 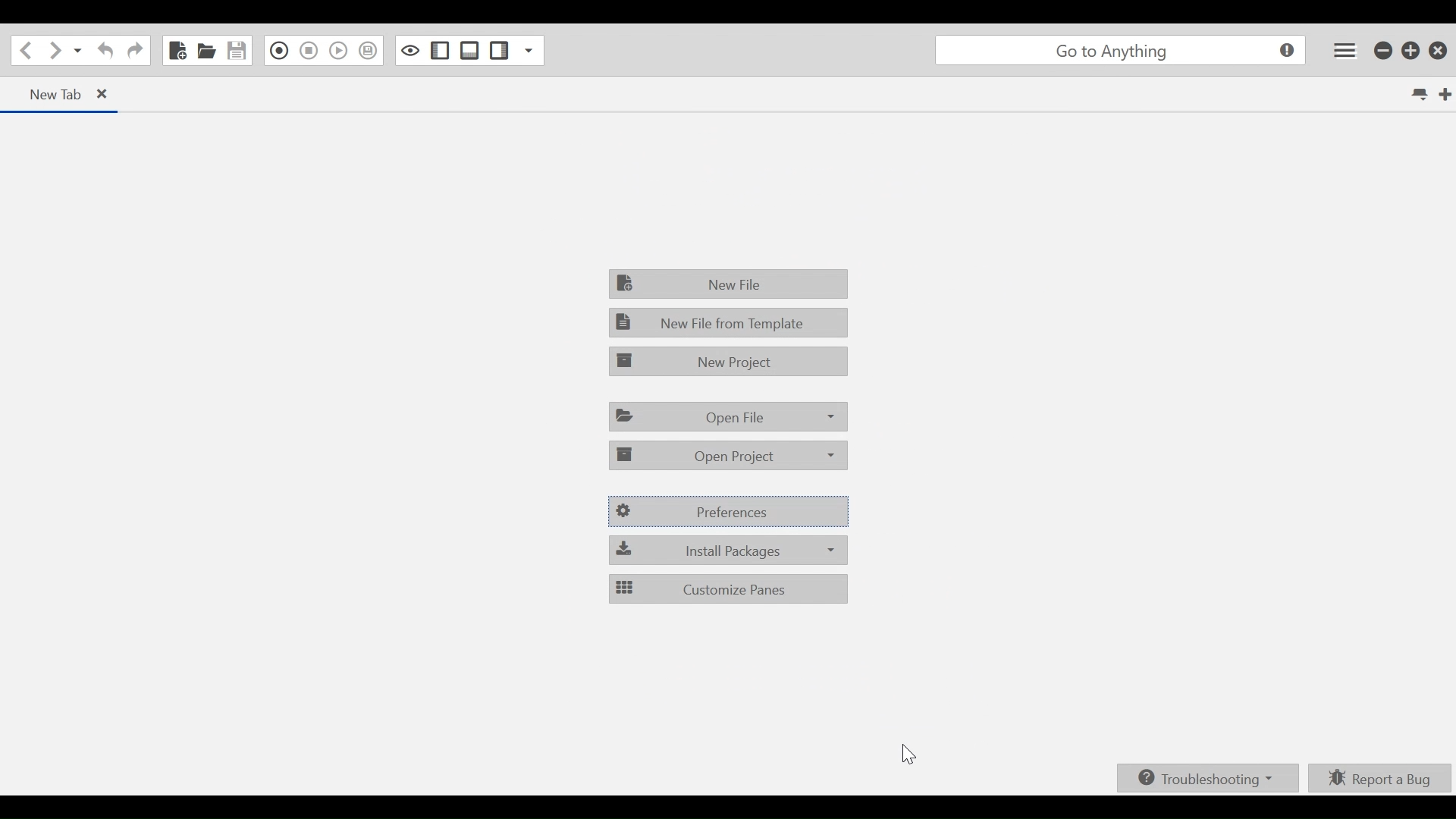 What do you see at coordinates (730, 550) in the screenshot?
I see `Install Packages` at bounding box center [730, 550].